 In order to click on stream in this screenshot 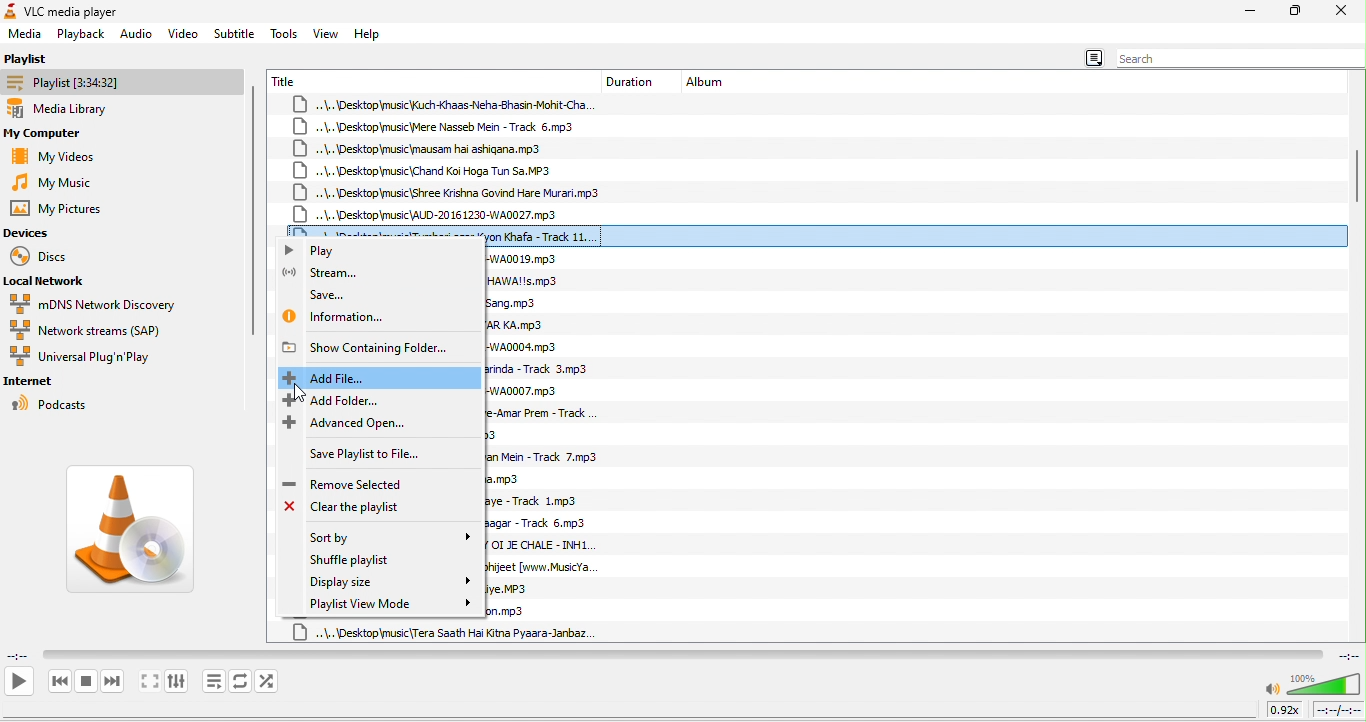, I will do `click(337, 273)`.